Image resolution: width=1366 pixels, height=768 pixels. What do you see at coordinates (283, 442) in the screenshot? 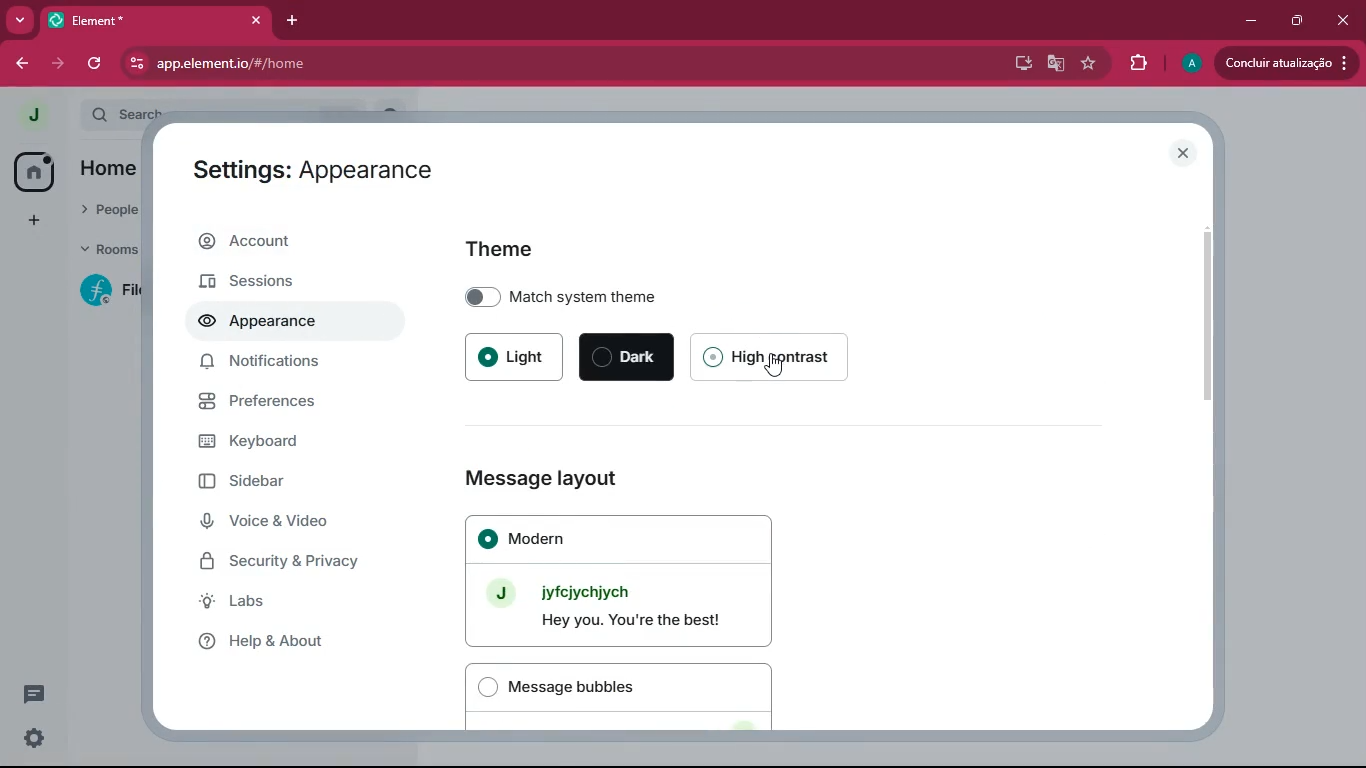
I see `keyboard` at bounding box center [283, 442].